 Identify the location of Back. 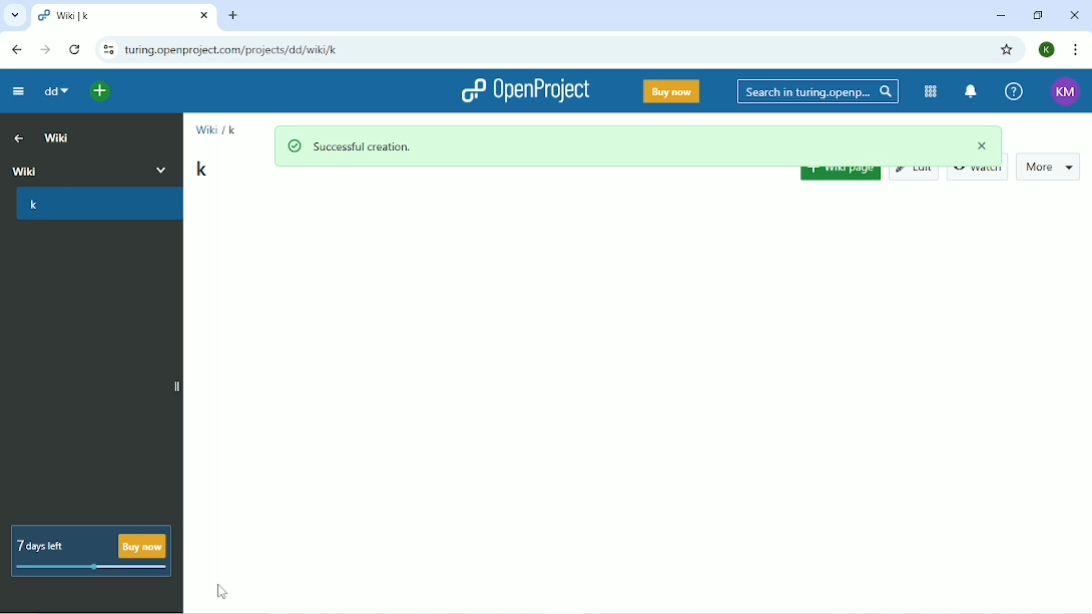
(15, 49).